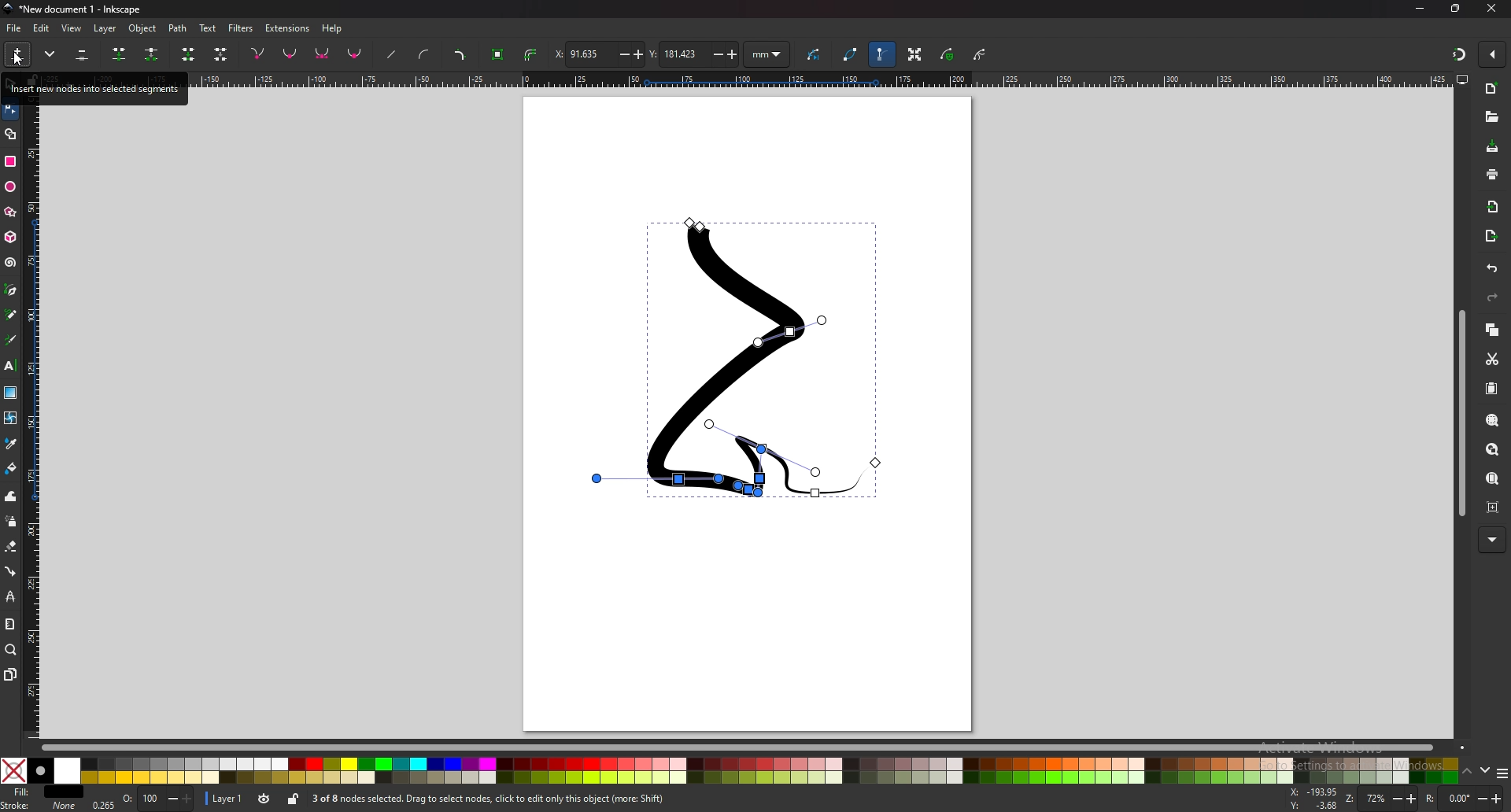 This screenshot has width=1511, height=812. I want to click on minimize, so click(1420, 9).